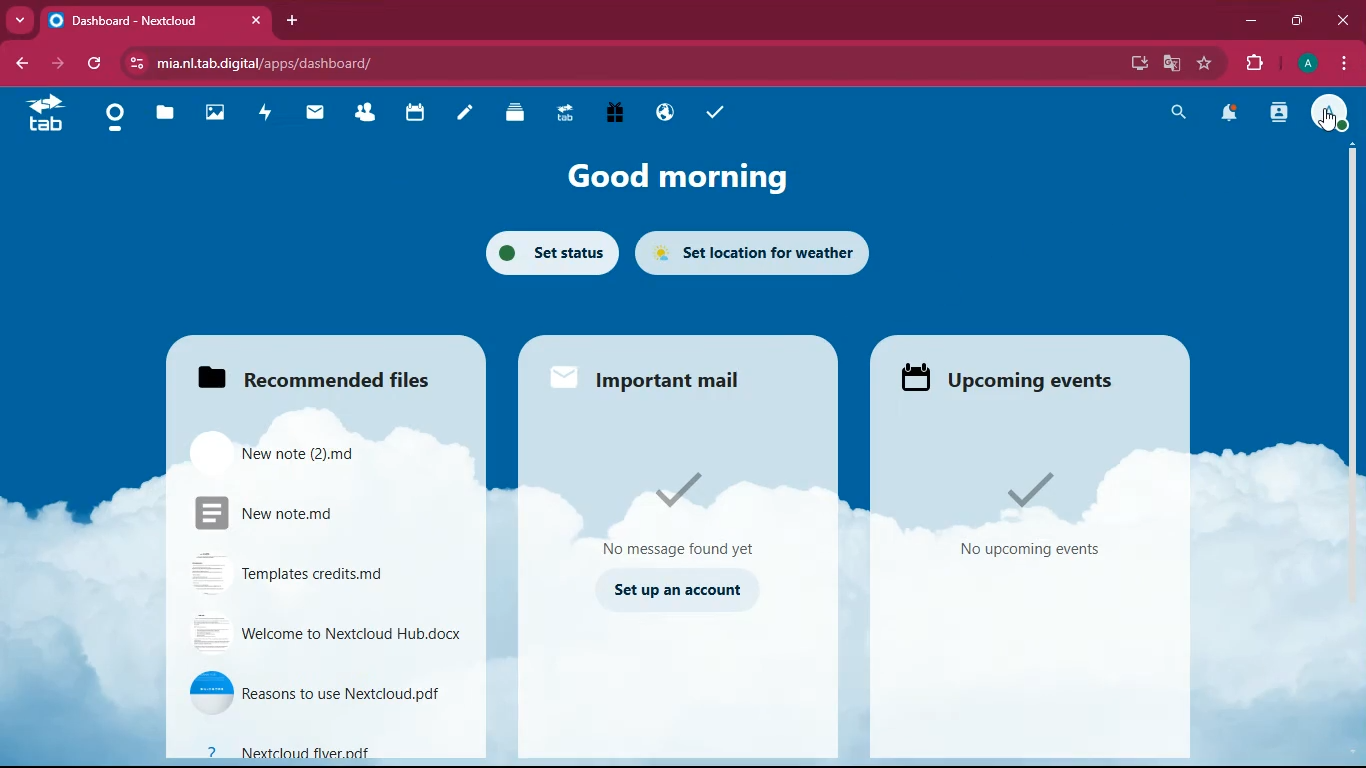 This screenshot has width=1366, height=768. Describe the element at coordinates (325, 637) in the screenshot. I see `file` at that location.